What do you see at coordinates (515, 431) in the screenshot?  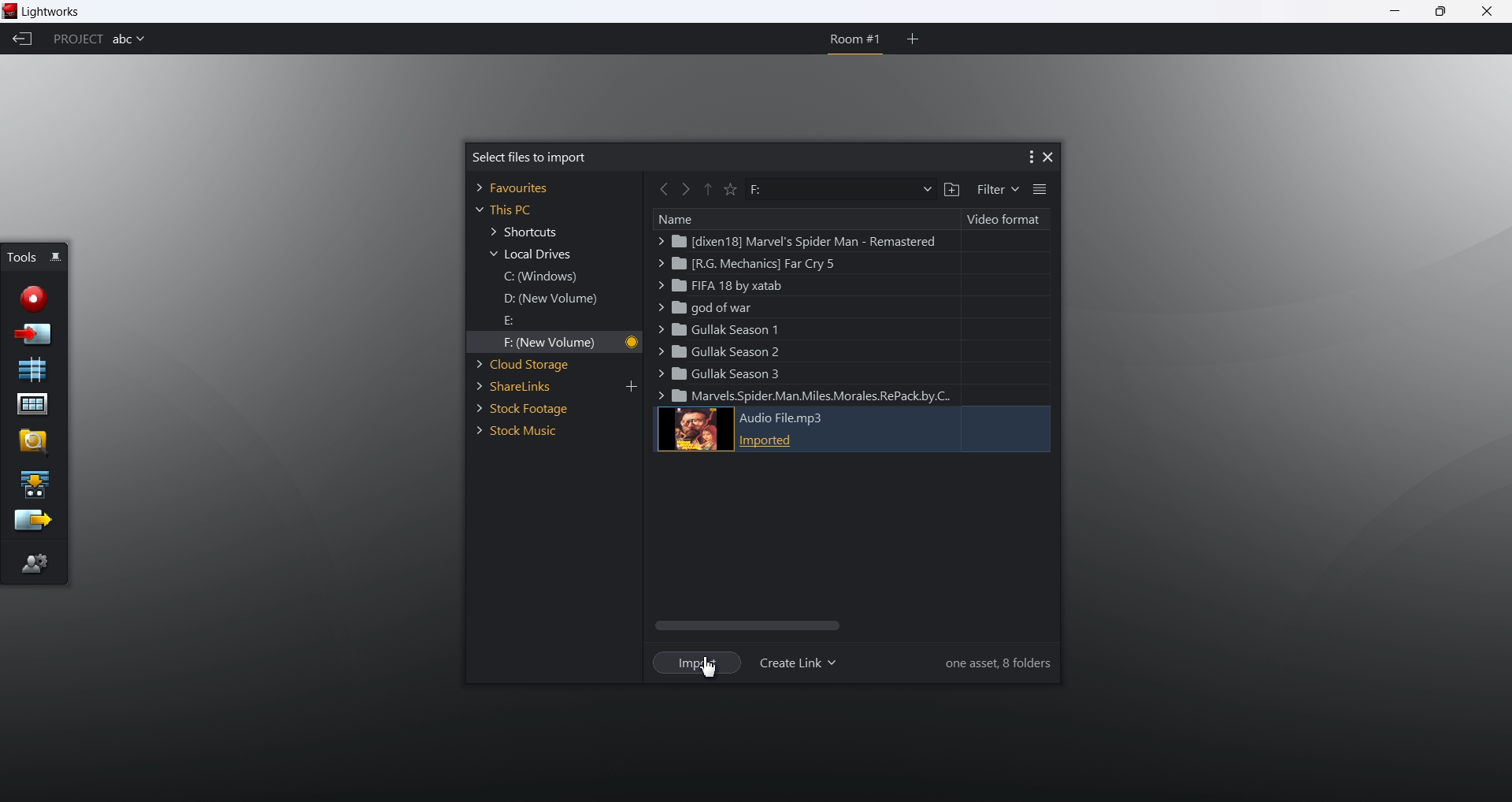 I see `stock music` at bounding box center [515, 431].